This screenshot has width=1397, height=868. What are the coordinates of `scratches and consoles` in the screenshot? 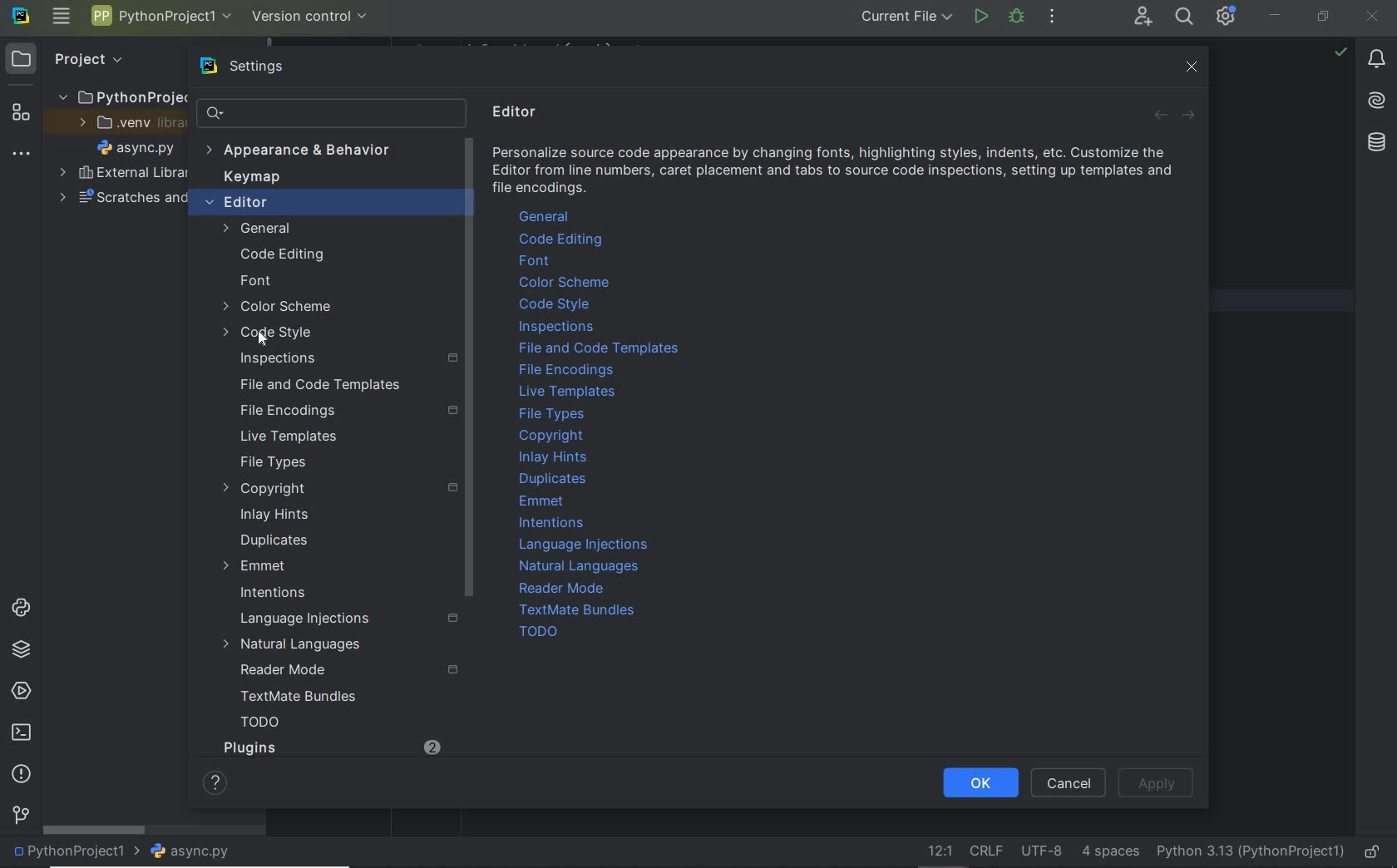 It's located at (115, 200).